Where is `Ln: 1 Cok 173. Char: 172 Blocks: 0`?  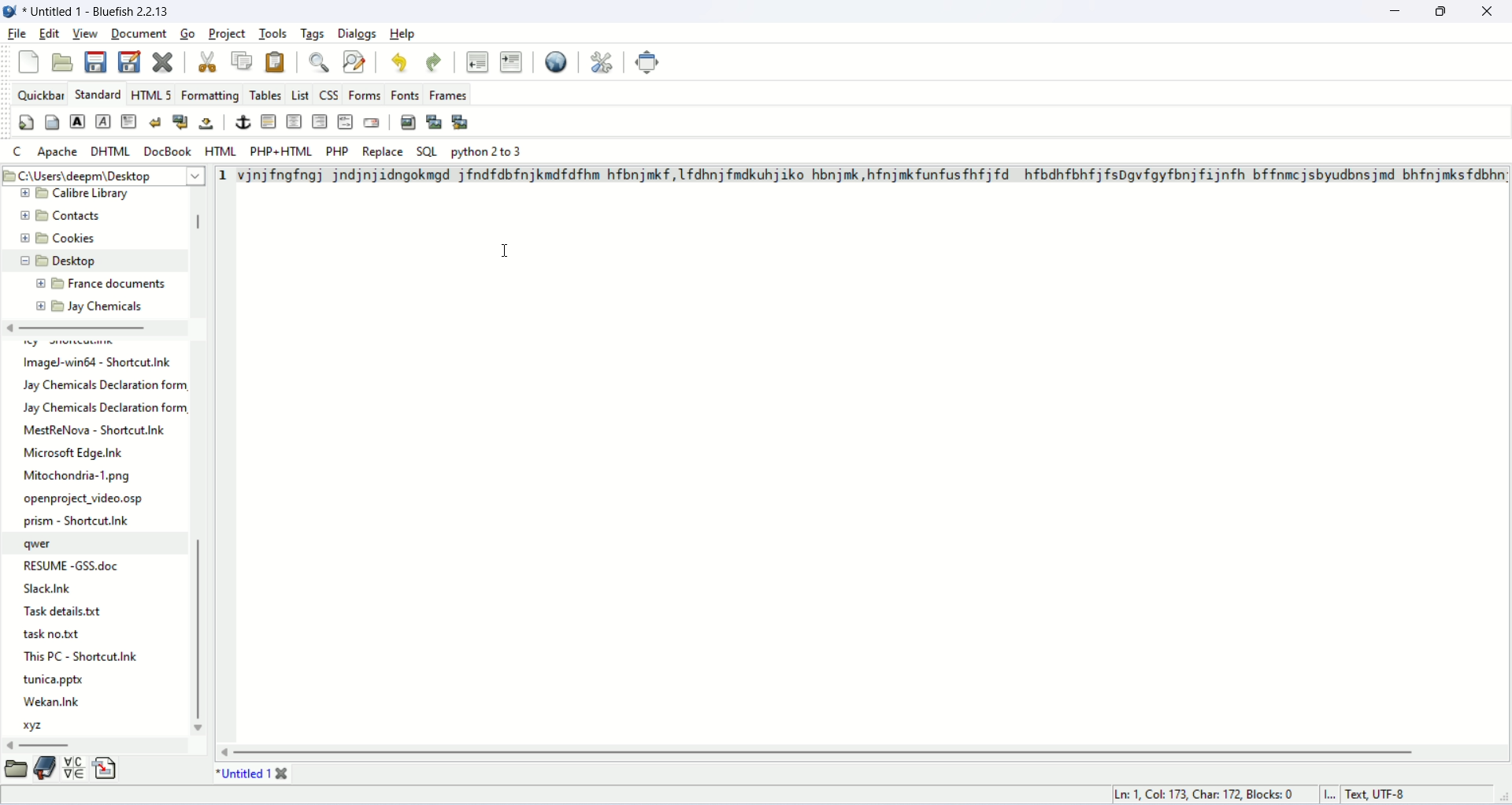 Ln: 1 Cok 173. Char: 172 Blocks: 0 is located at coordinates (1203, 794).